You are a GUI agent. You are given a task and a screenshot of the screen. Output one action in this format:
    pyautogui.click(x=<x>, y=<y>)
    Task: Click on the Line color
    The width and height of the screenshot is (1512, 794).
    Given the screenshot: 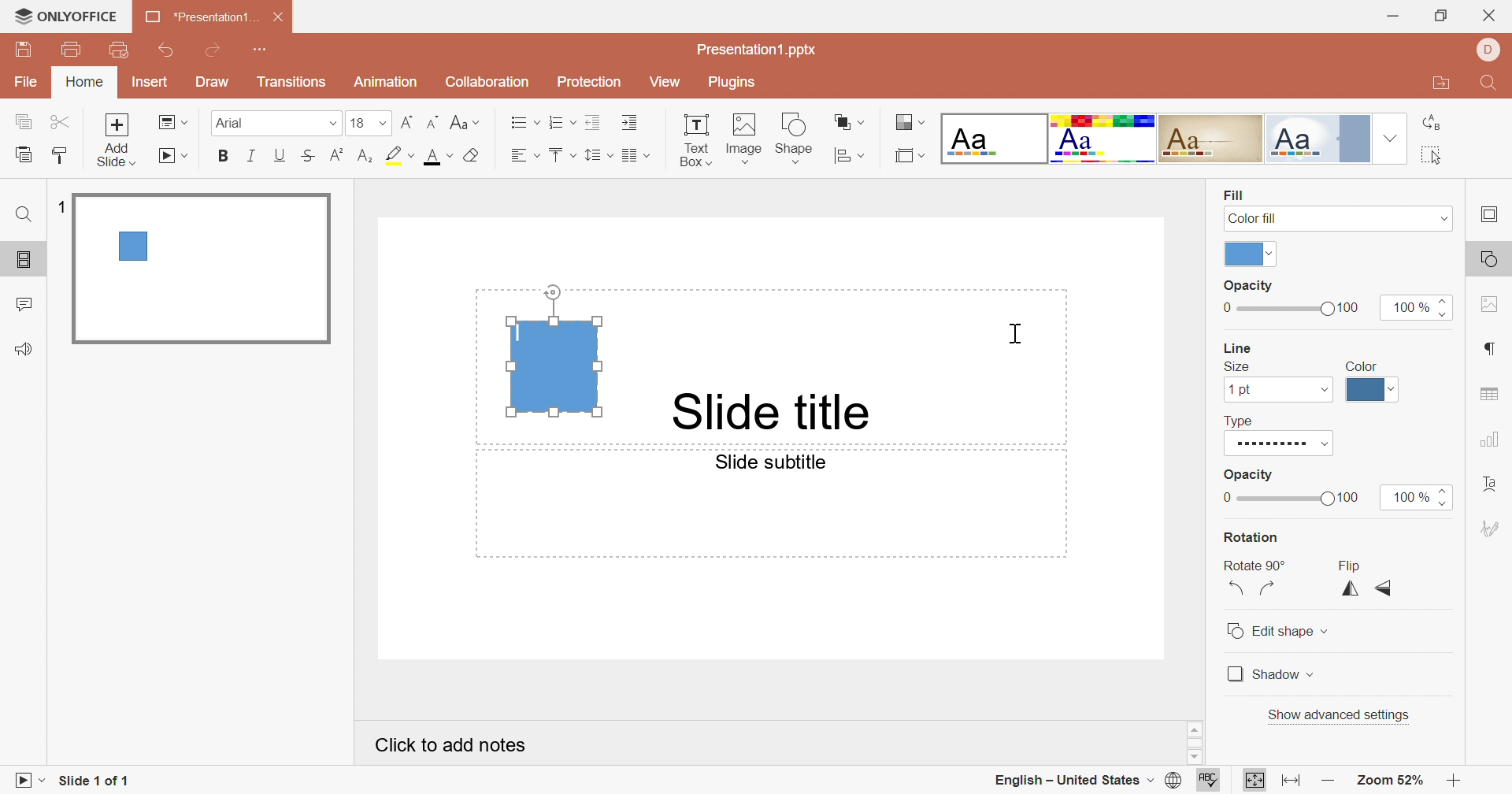 What is the action you would take?
    pyautogui.click(x=1371, y=391)
    